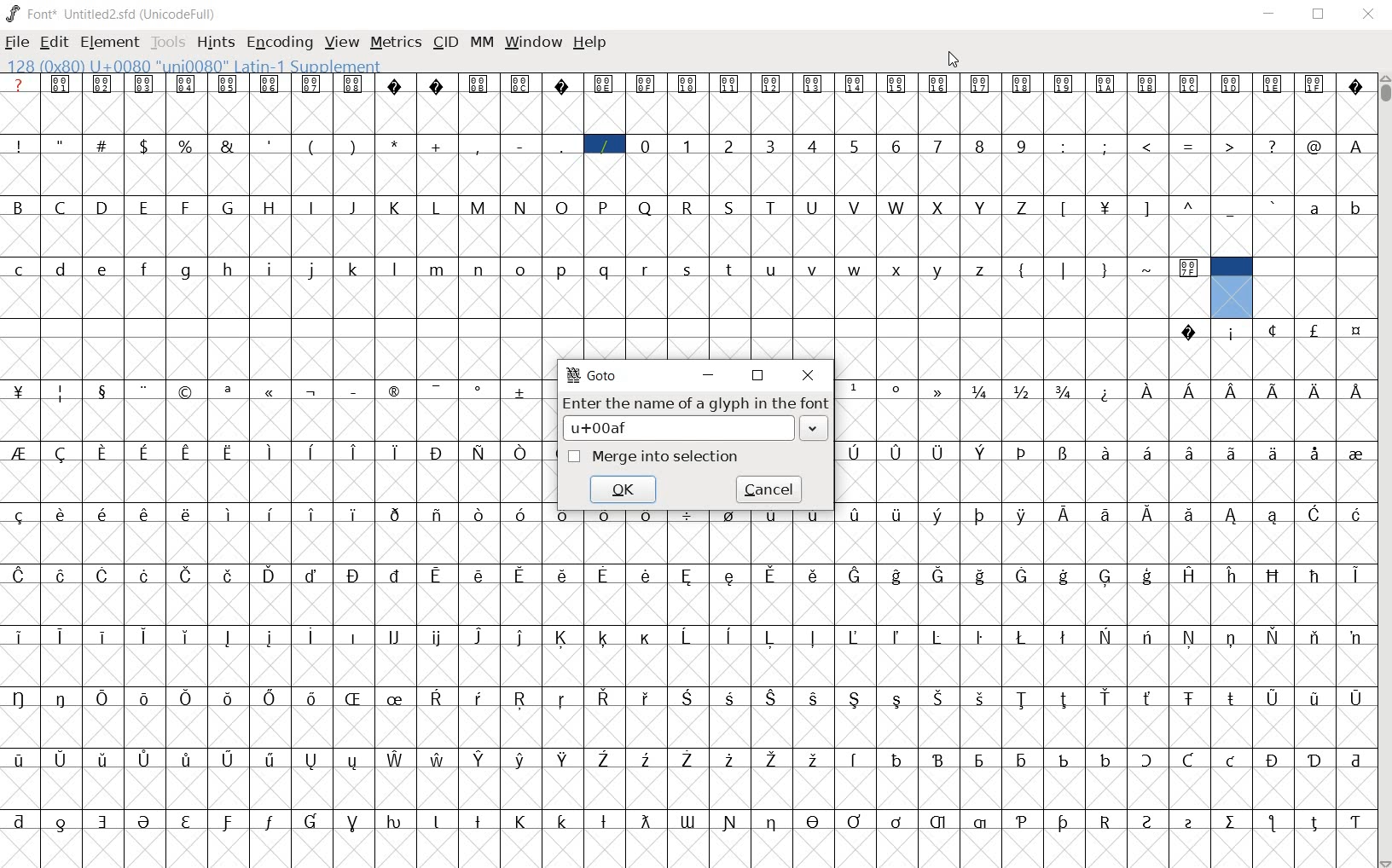 This screenshot has width=1392, height=868. Describe the element at coordinates (896, 512) in the screenshot. I see `Symbol` at that location.